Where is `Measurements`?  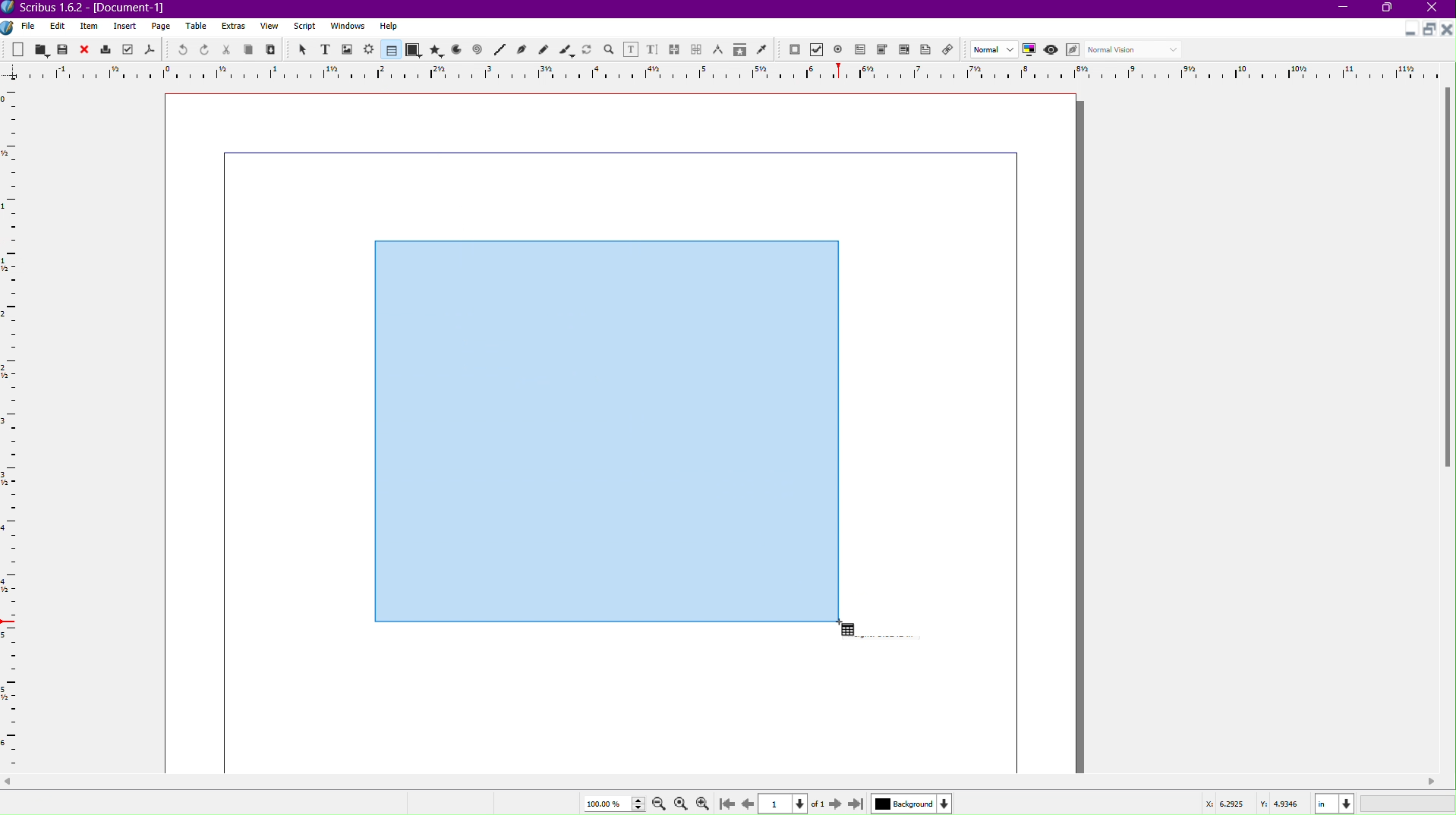 Measurements is located at coordinates (720, 49).